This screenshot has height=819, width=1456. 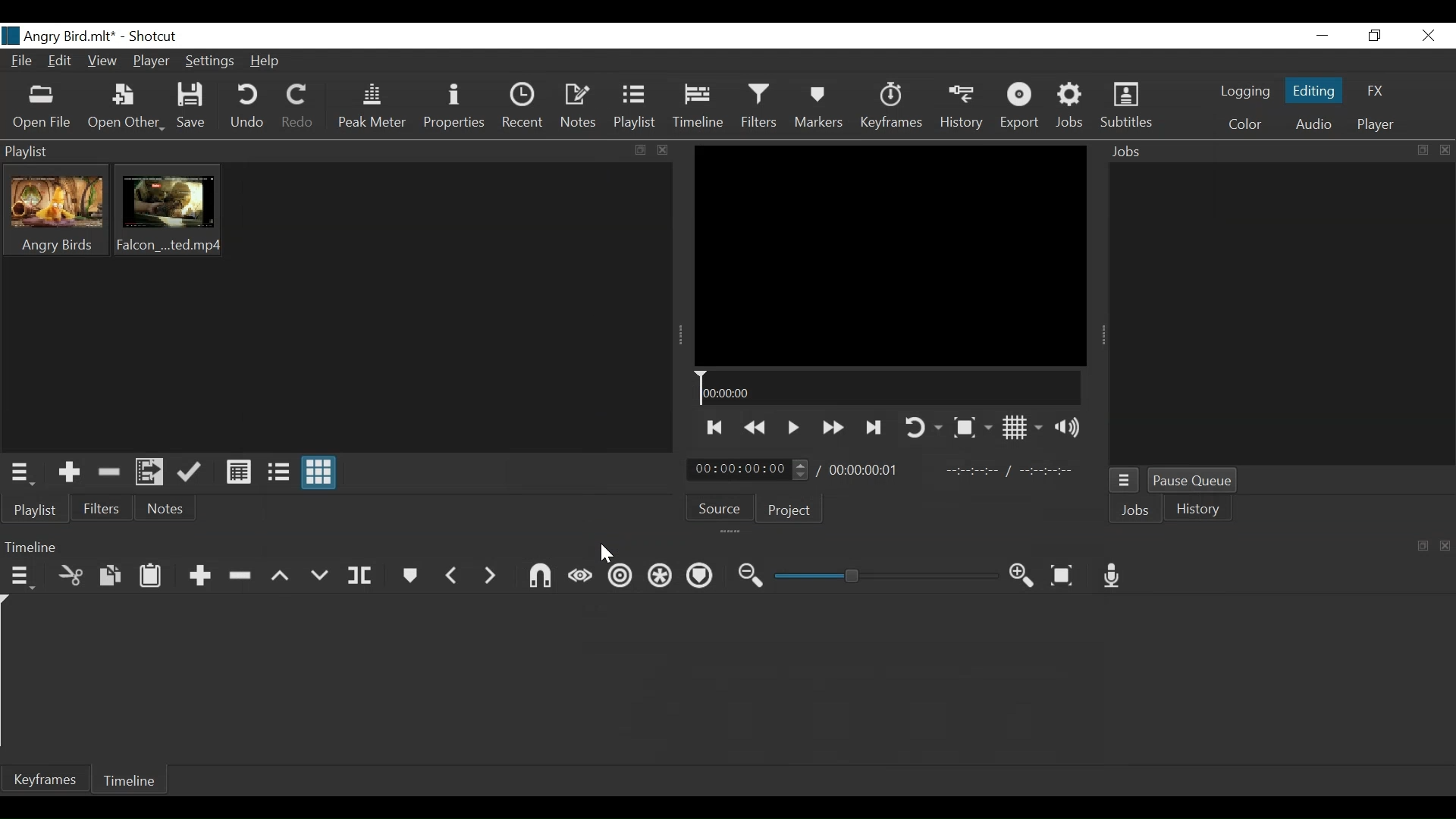 What do you see at coordinates (129, 781) in the screenshot?
I see `Timeline` at bounding box center [129, 781].